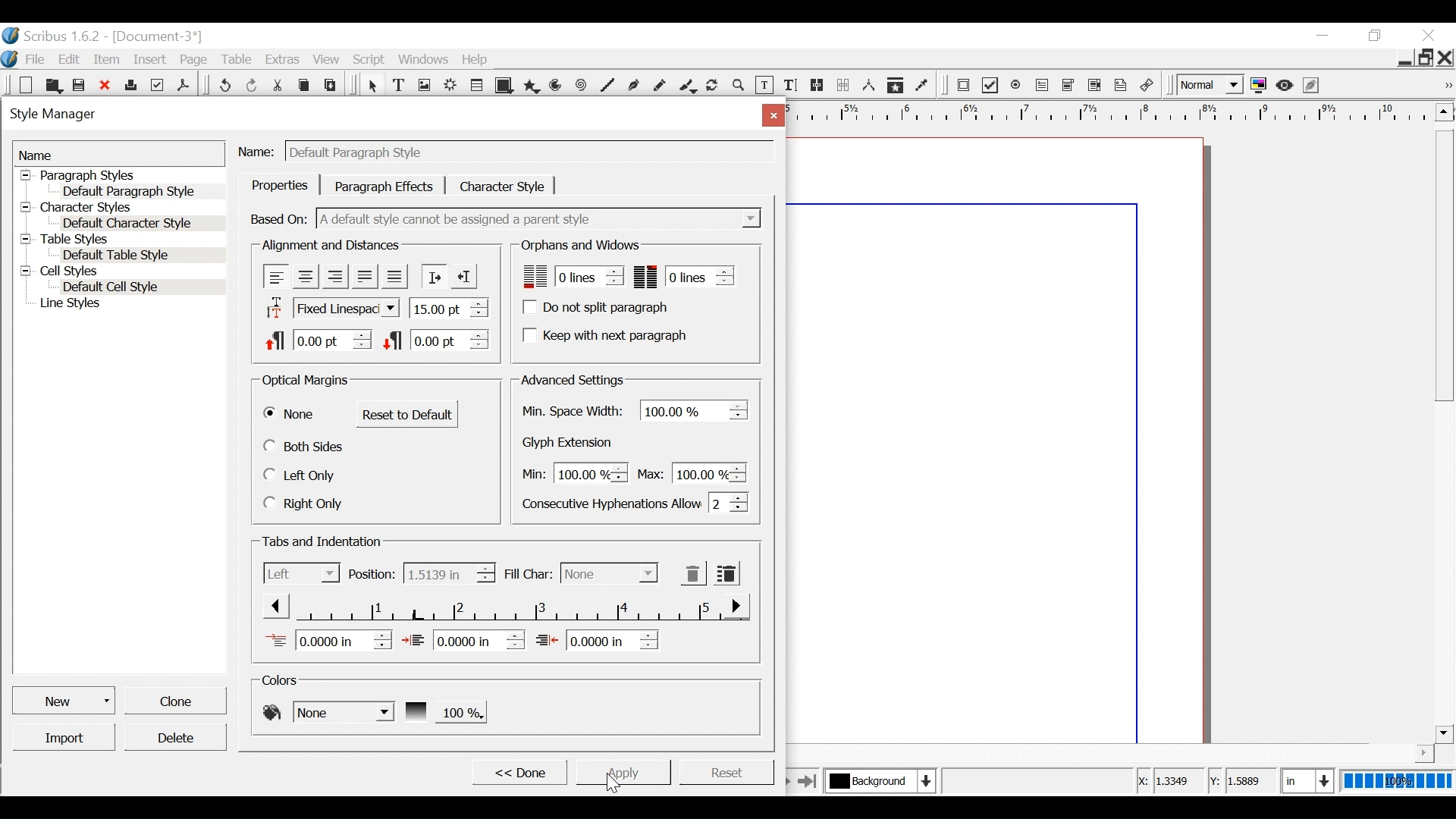  What do you see at coordinates (303, 503) in the screenshot?
I see `(un)select Right only` at bounding box center [303, 503].